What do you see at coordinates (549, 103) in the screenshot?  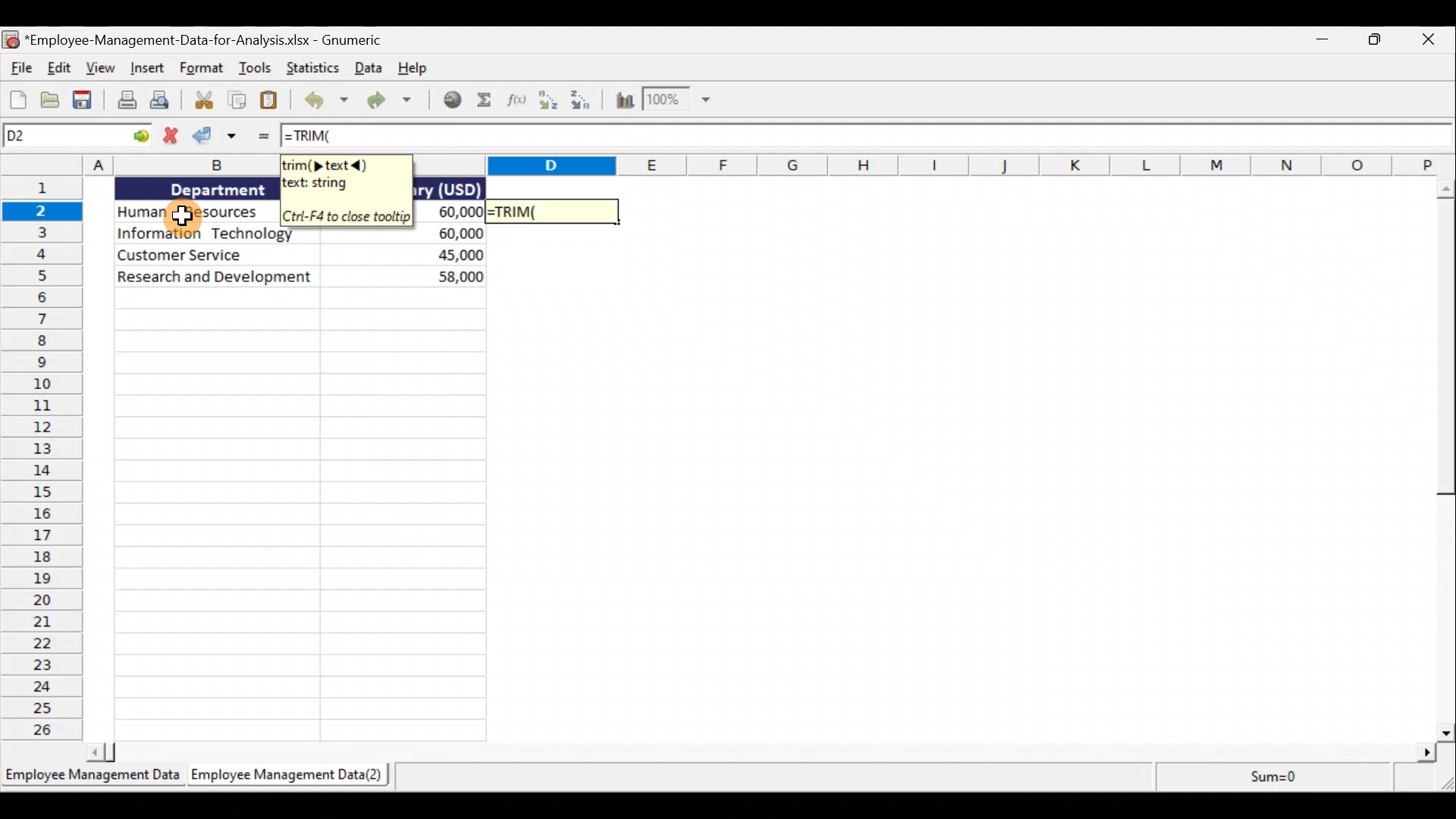 I see `Sort ascending` at bounding box center [549, 103].